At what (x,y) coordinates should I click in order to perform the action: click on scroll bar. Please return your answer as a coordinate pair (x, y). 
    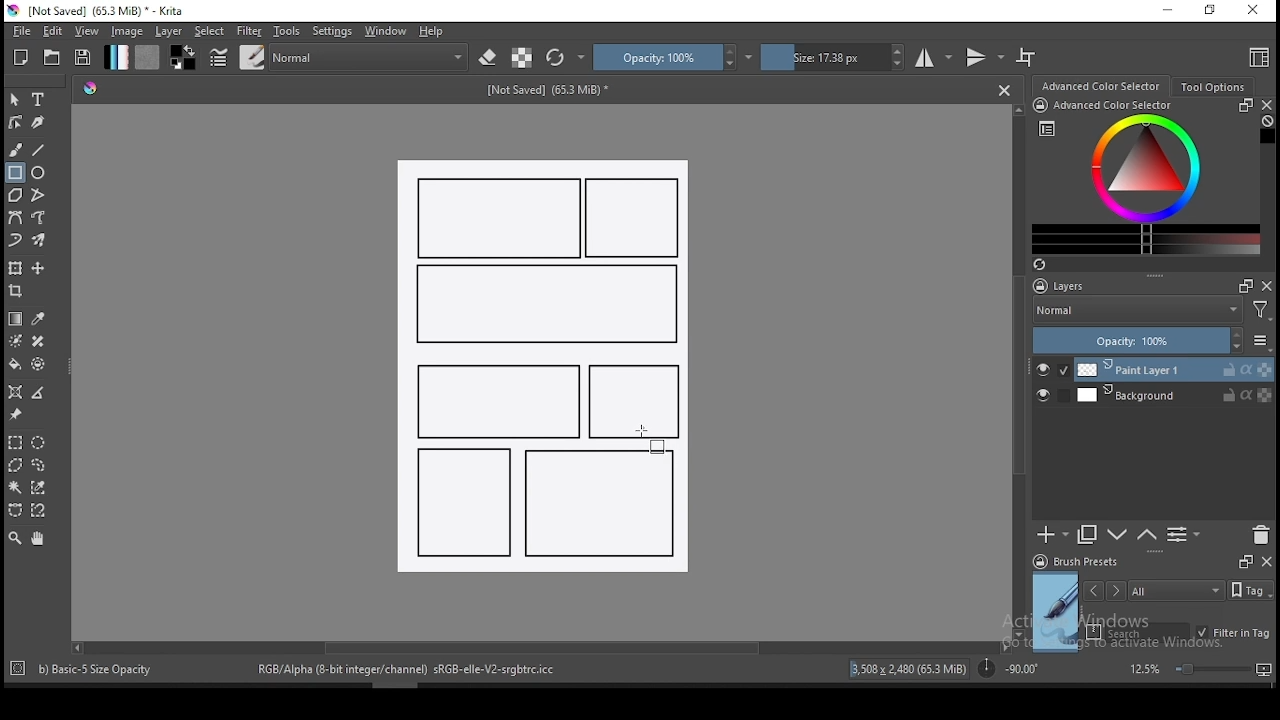
    Looking at the image, I should click on (1020, 370).